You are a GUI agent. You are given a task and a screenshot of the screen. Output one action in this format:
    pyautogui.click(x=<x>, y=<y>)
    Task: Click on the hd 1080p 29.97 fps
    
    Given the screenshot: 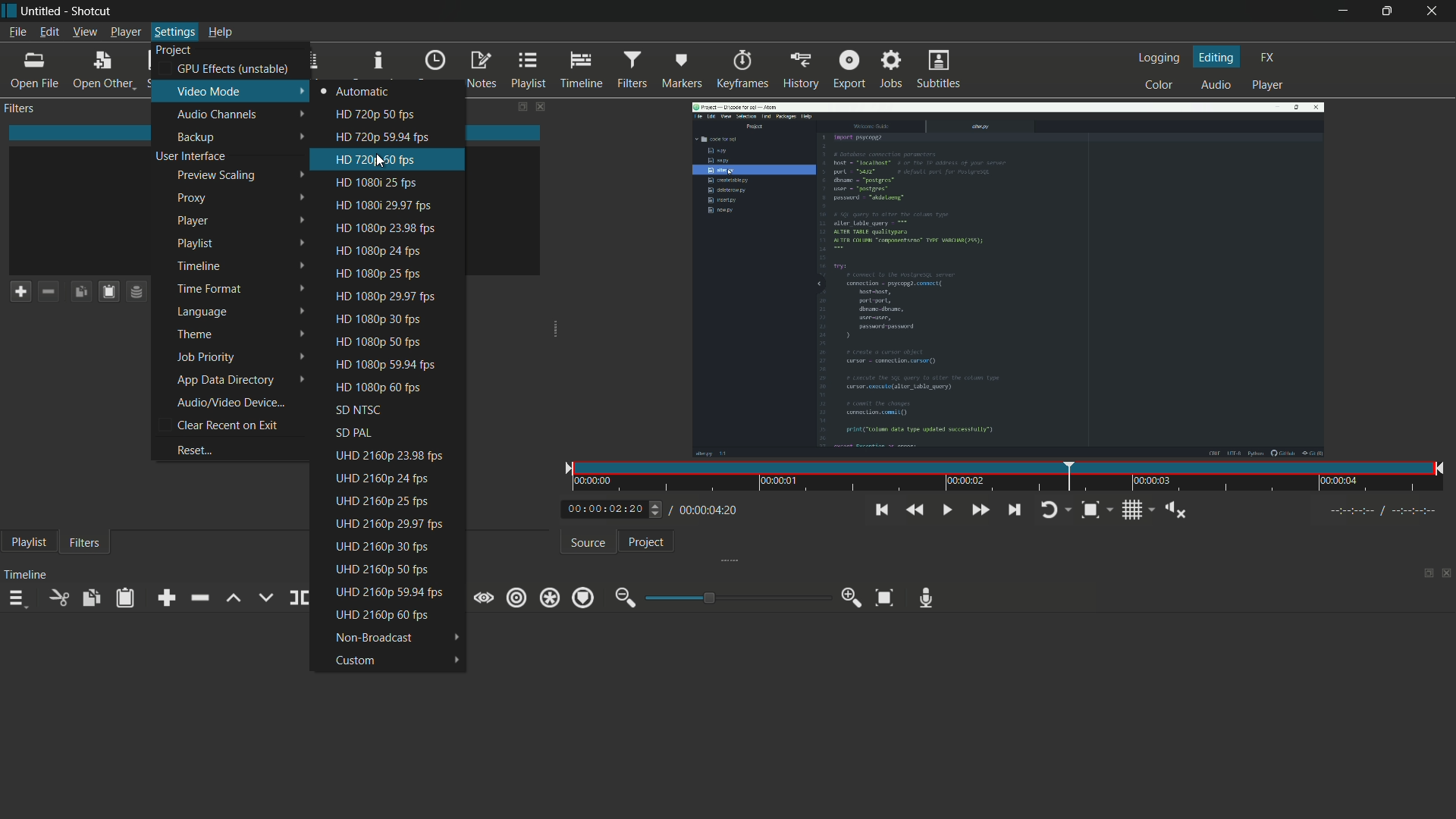 What is the action you would take?
    pyautogui.click(x=399, y=206)
    